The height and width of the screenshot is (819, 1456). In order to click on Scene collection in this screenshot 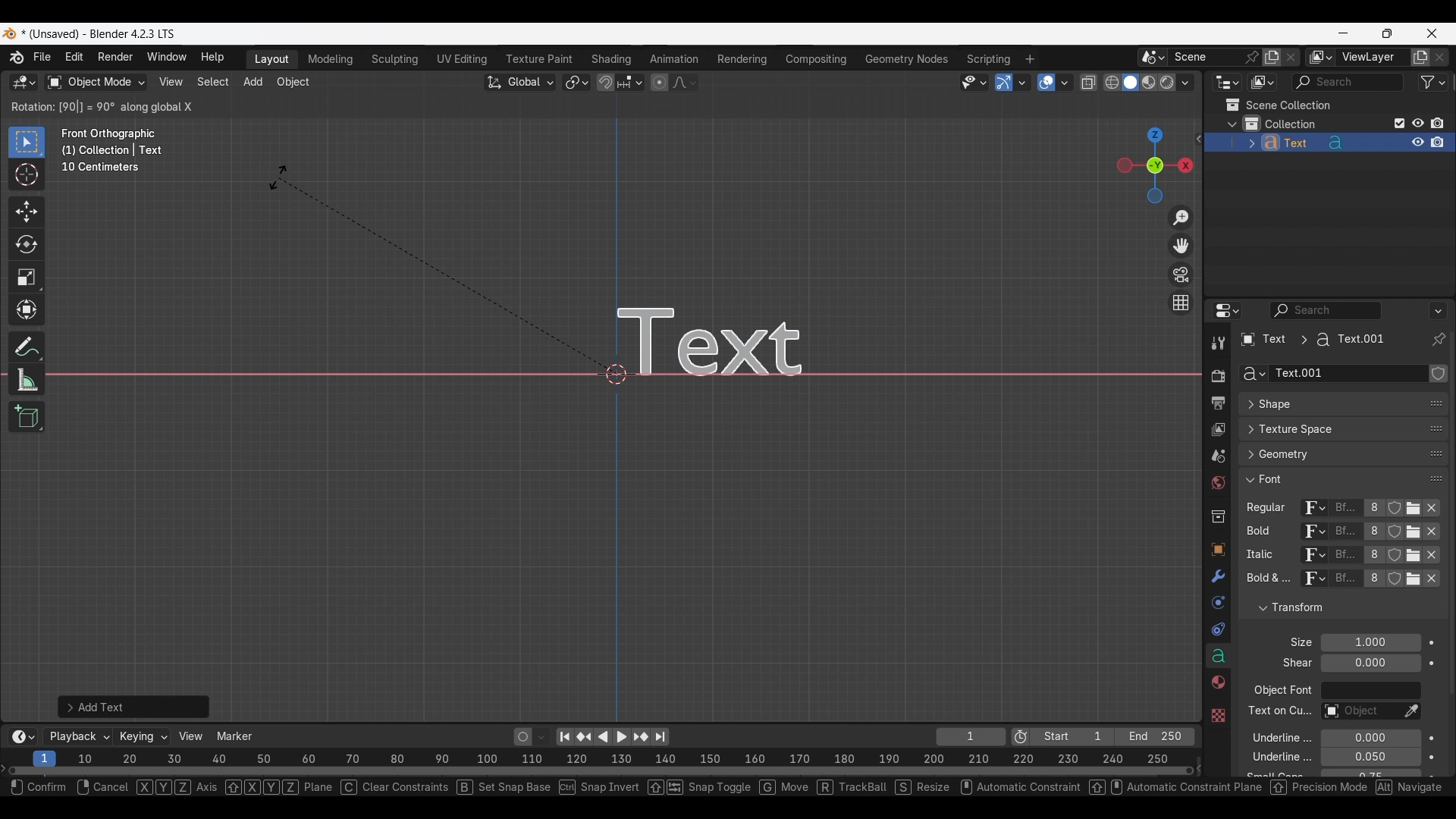, I will do `click(1278, 105)`.